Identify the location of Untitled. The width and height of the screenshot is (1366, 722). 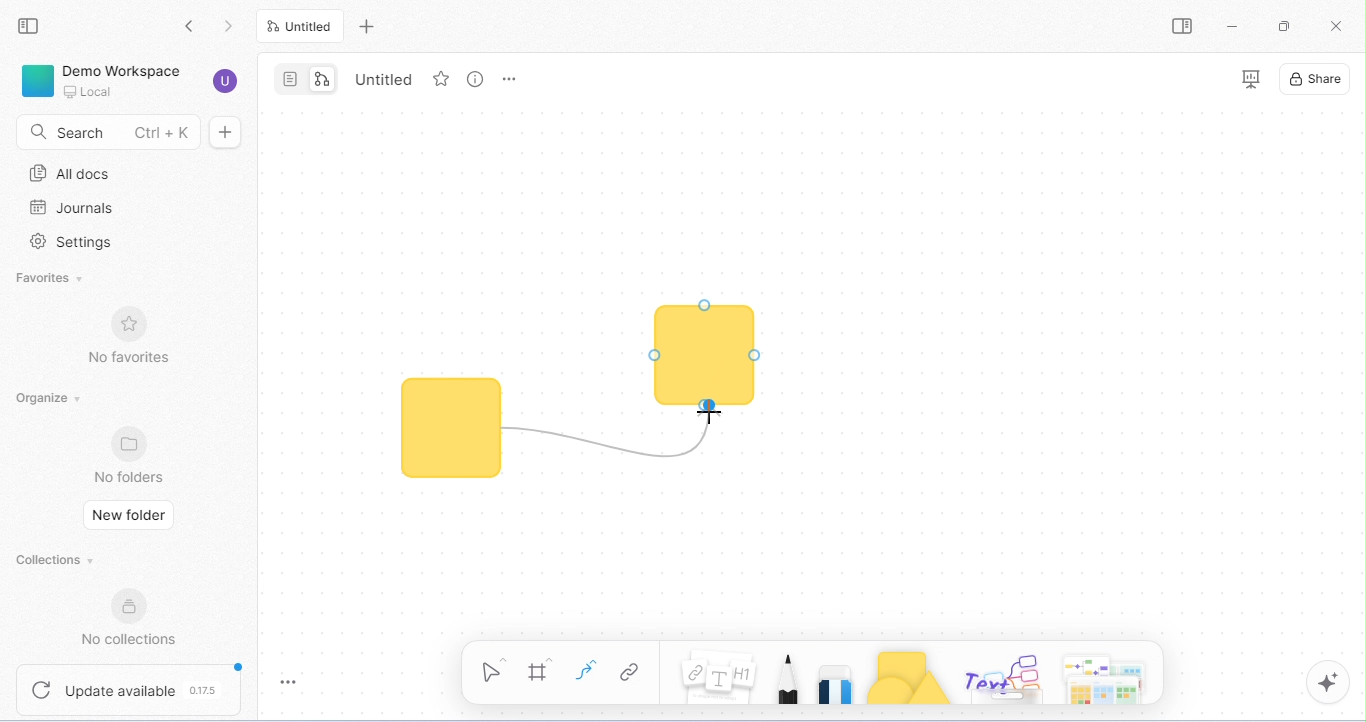
(386, 80).